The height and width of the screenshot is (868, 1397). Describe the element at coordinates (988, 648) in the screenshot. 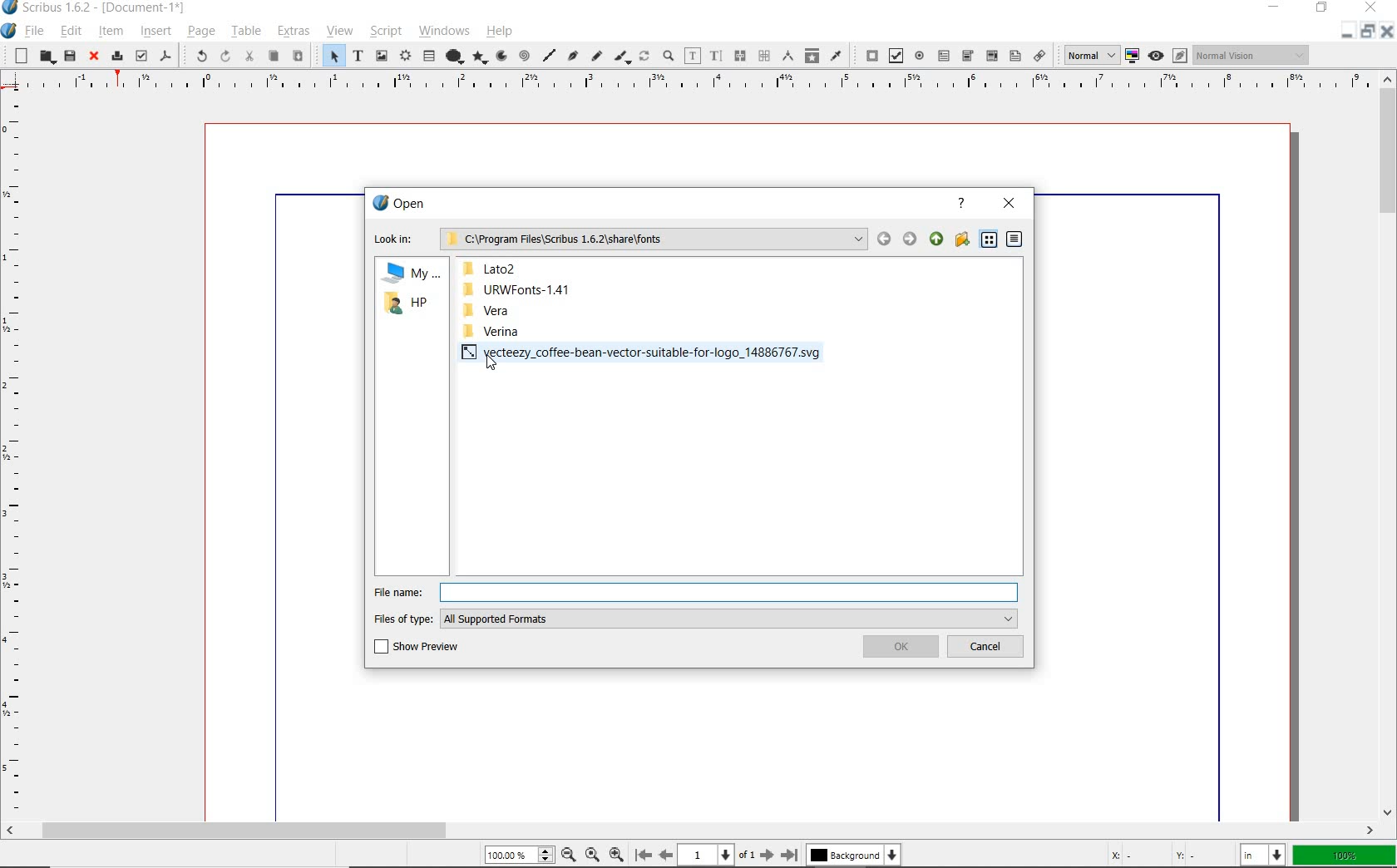

I see `cancel` at that location.